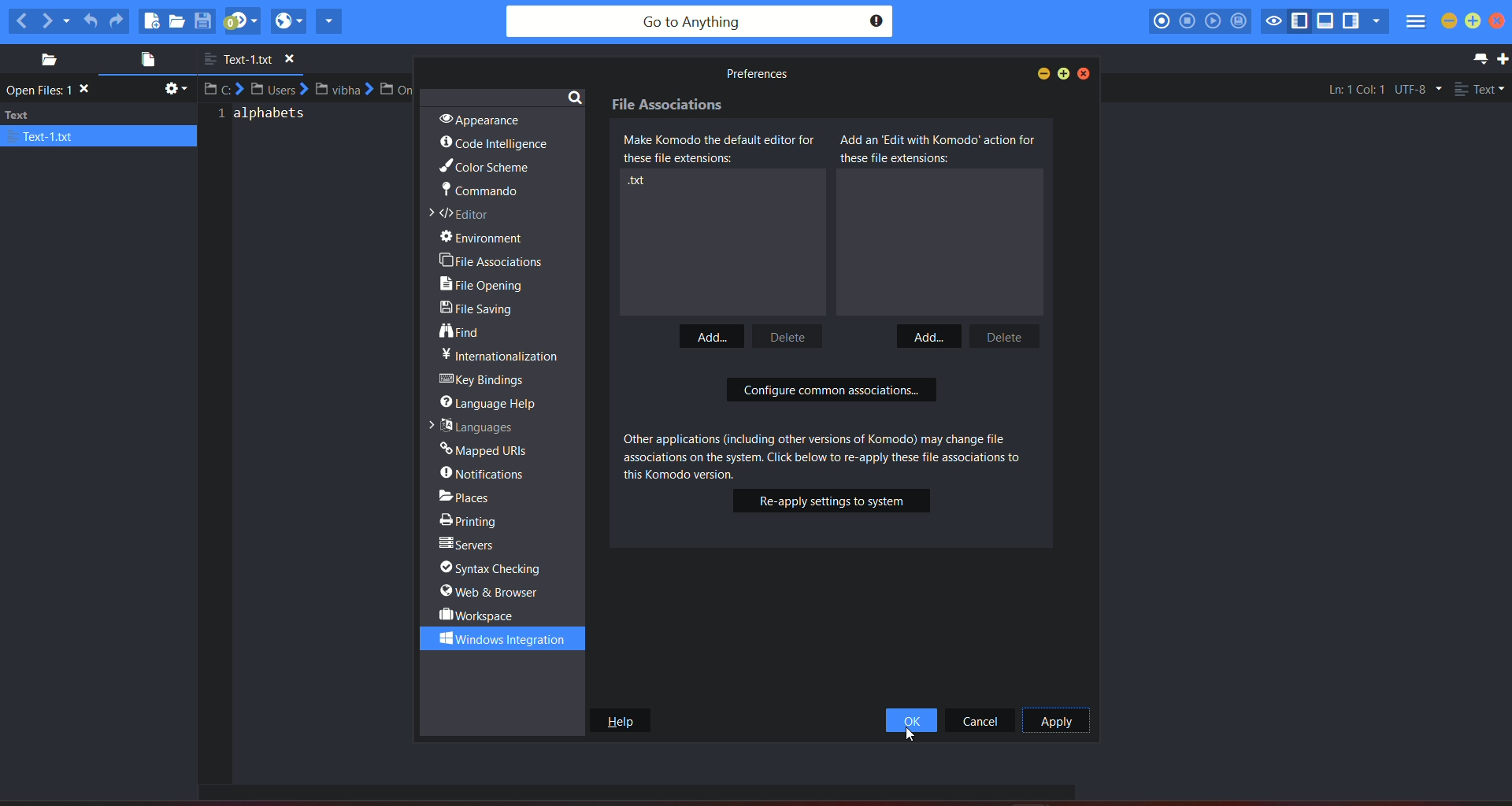 The width and height of the screenshot is (1512, 806). I want to click on show/hide left pane, so click(1303, 21).